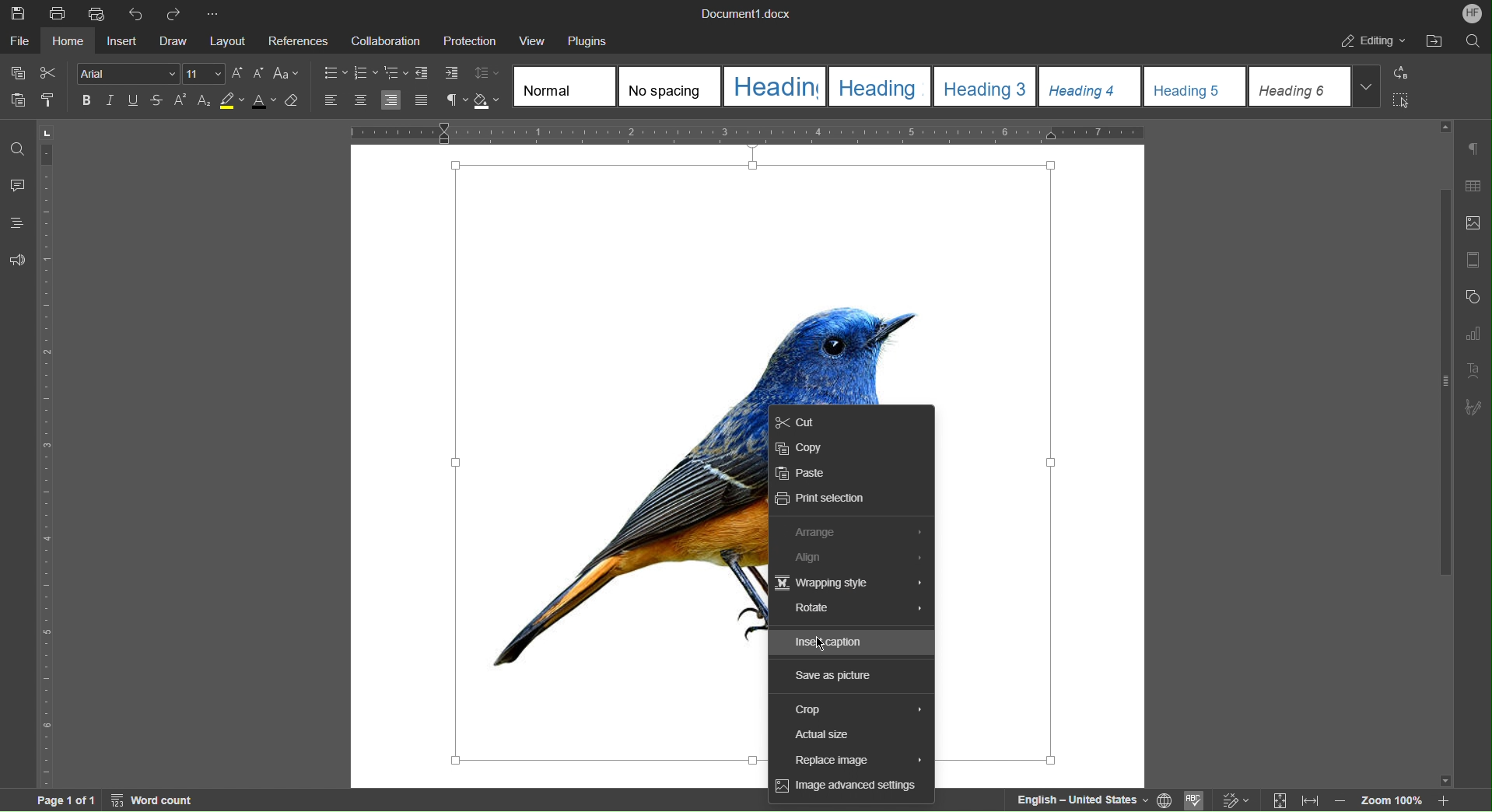 The height and width of the screenshot is (812, 1492). Describe the element at coordinates (1166, 799) in the screenshot. I see `Set Document Language` at that location.